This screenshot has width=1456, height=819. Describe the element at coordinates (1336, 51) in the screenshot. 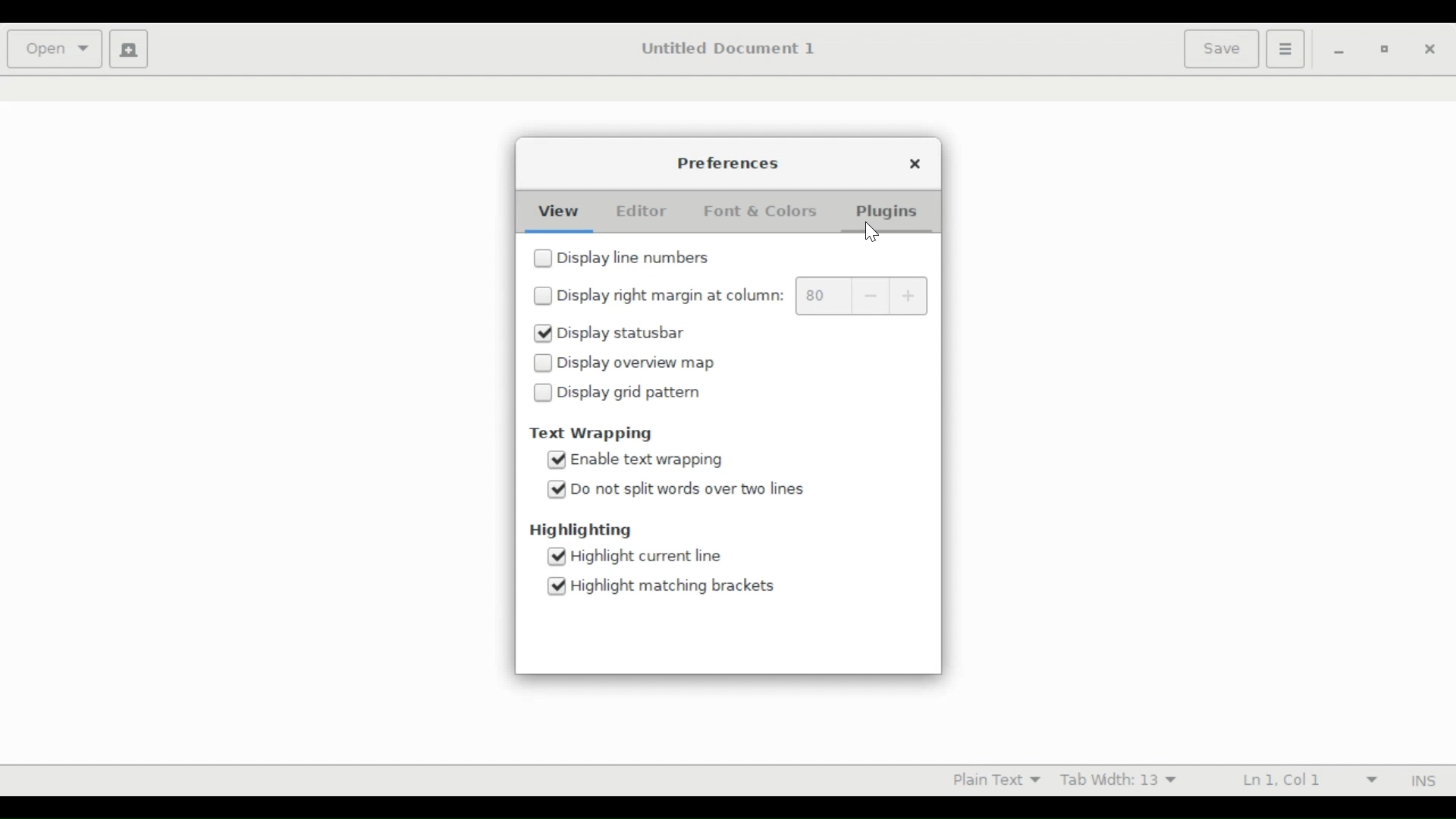

I see `minimize` at that location.